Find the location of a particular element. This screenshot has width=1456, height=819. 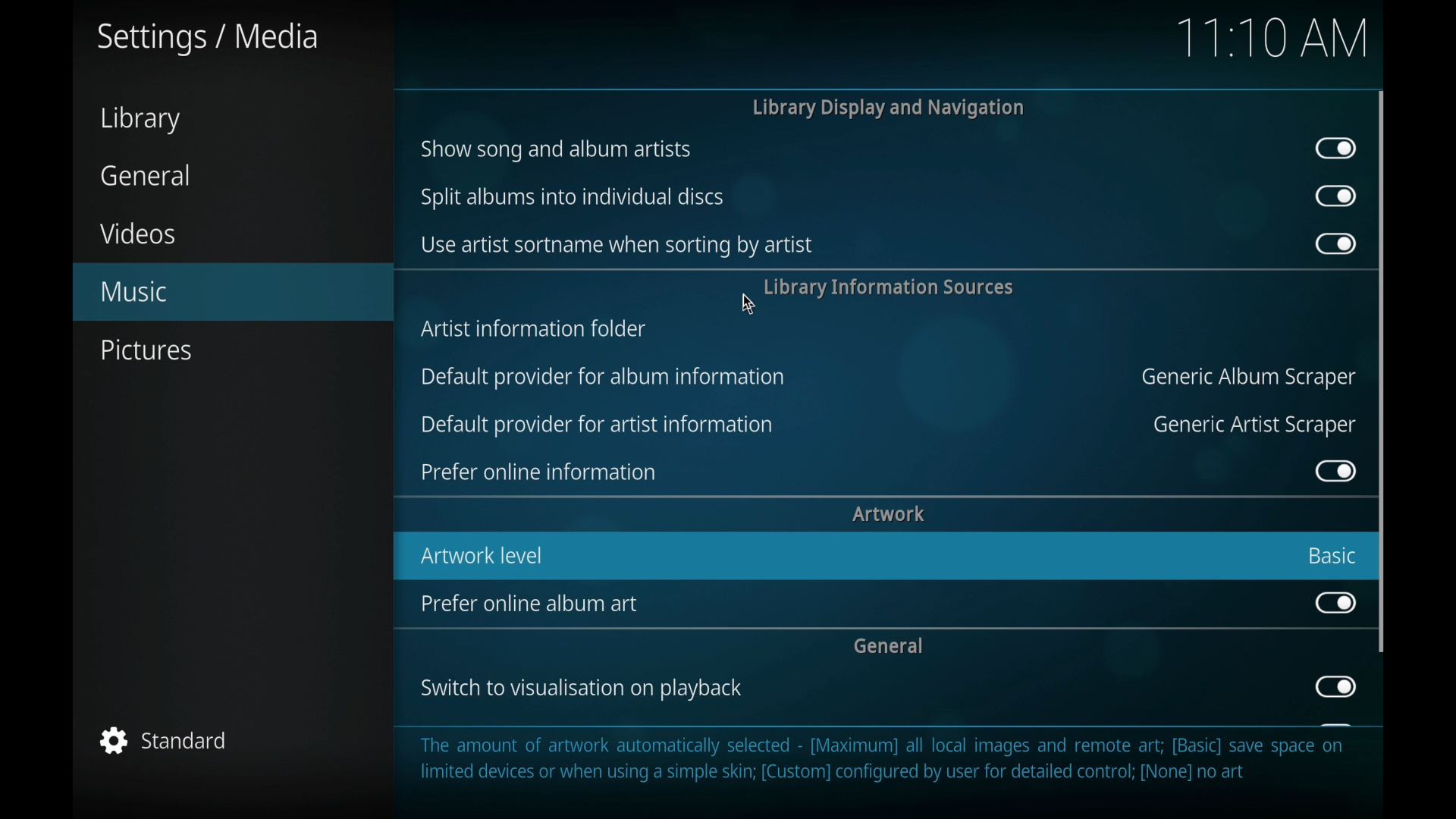

videos is located at coordinates (138, 233).